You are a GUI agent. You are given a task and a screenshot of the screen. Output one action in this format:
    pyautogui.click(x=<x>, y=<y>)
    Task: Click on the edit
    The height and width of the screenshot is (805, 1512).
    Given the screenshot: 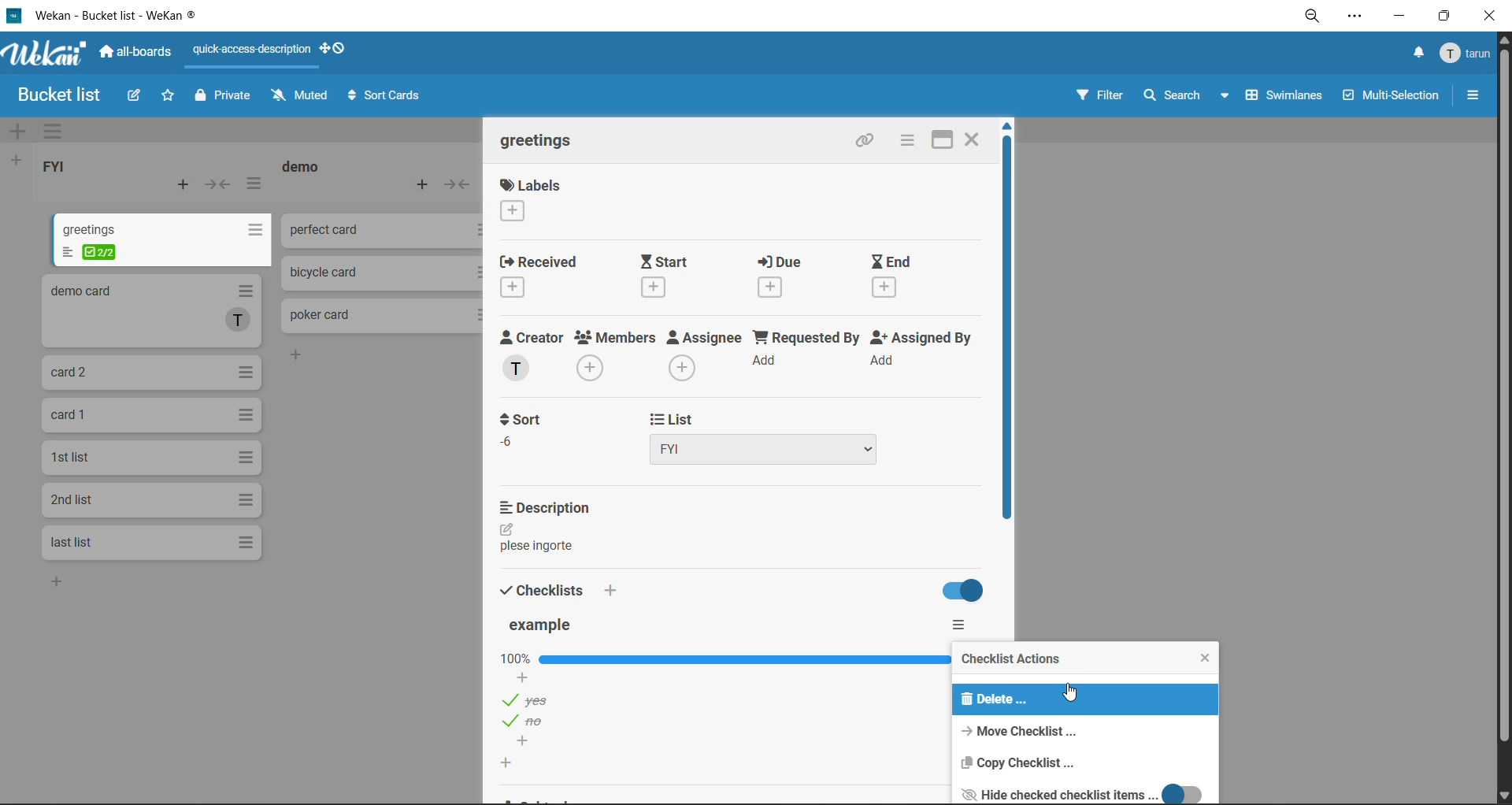 What is the action you would take?
    pyautogui.click(x=135, y=98)
    